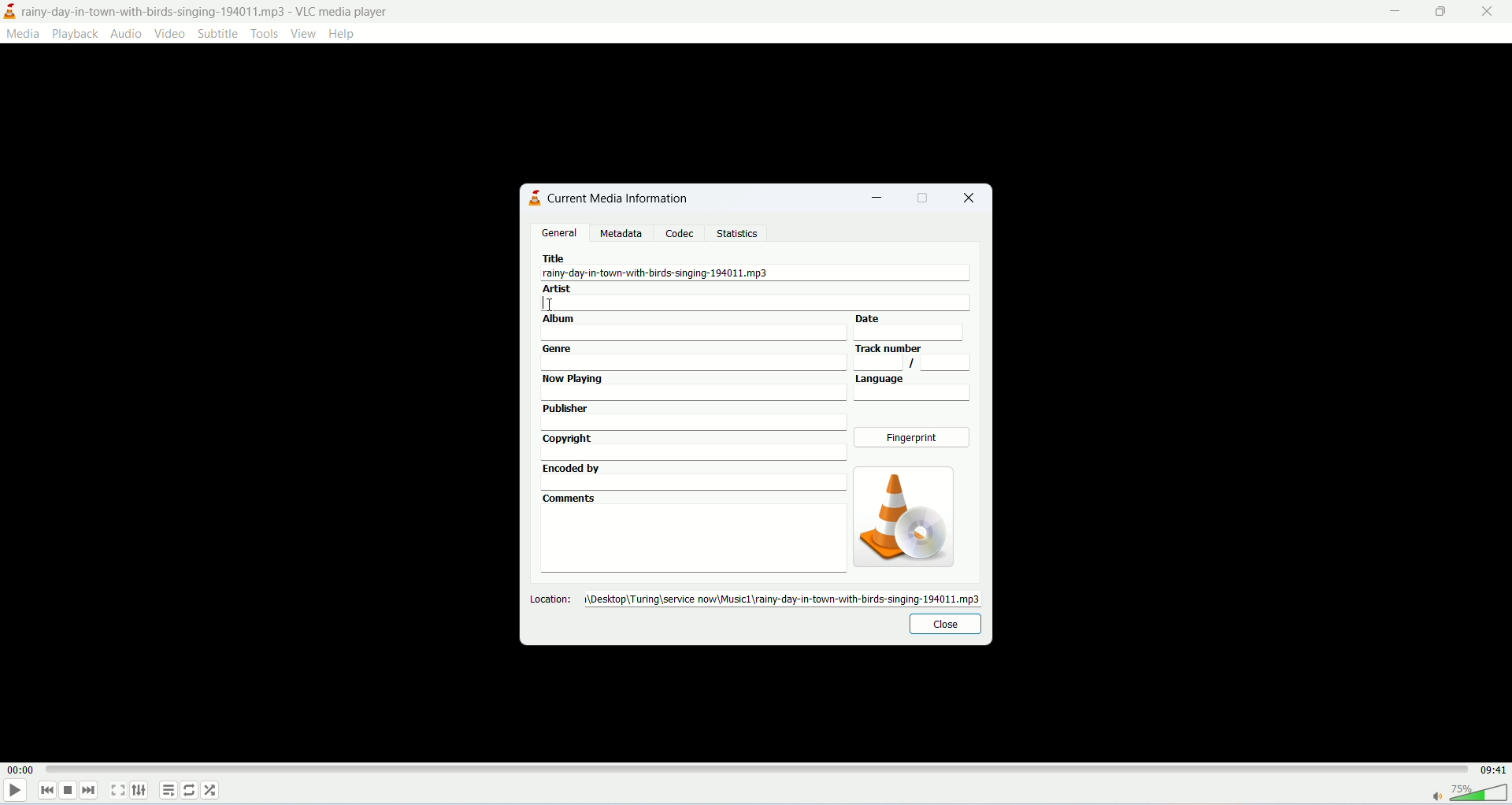  What do you see at coordinates (684, 233) in the screenshot?
I see `codec` at bounding box center [684, 233].